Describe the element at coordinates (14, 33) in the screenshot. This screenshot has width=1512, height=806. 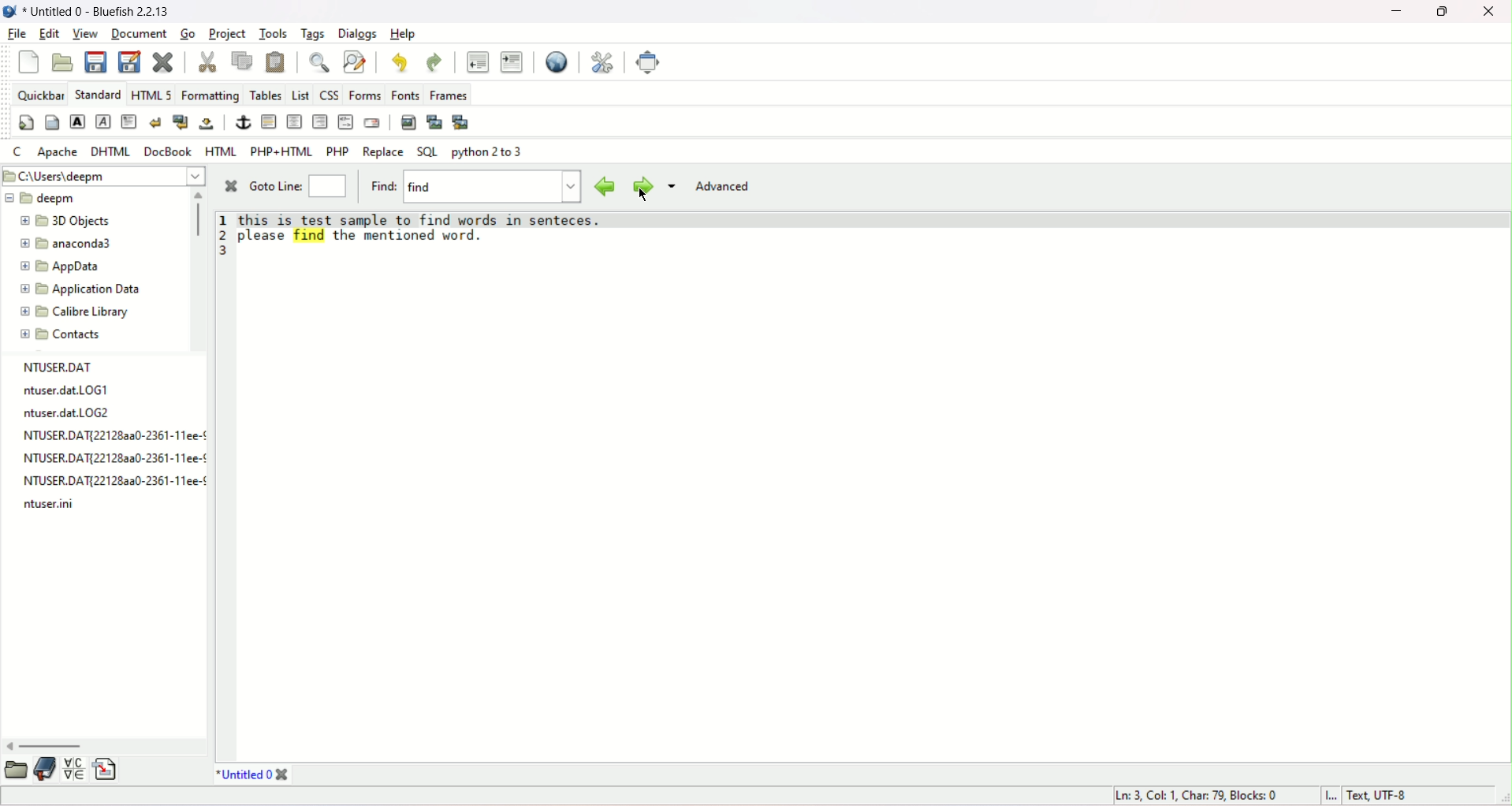
I see `file` at that location.